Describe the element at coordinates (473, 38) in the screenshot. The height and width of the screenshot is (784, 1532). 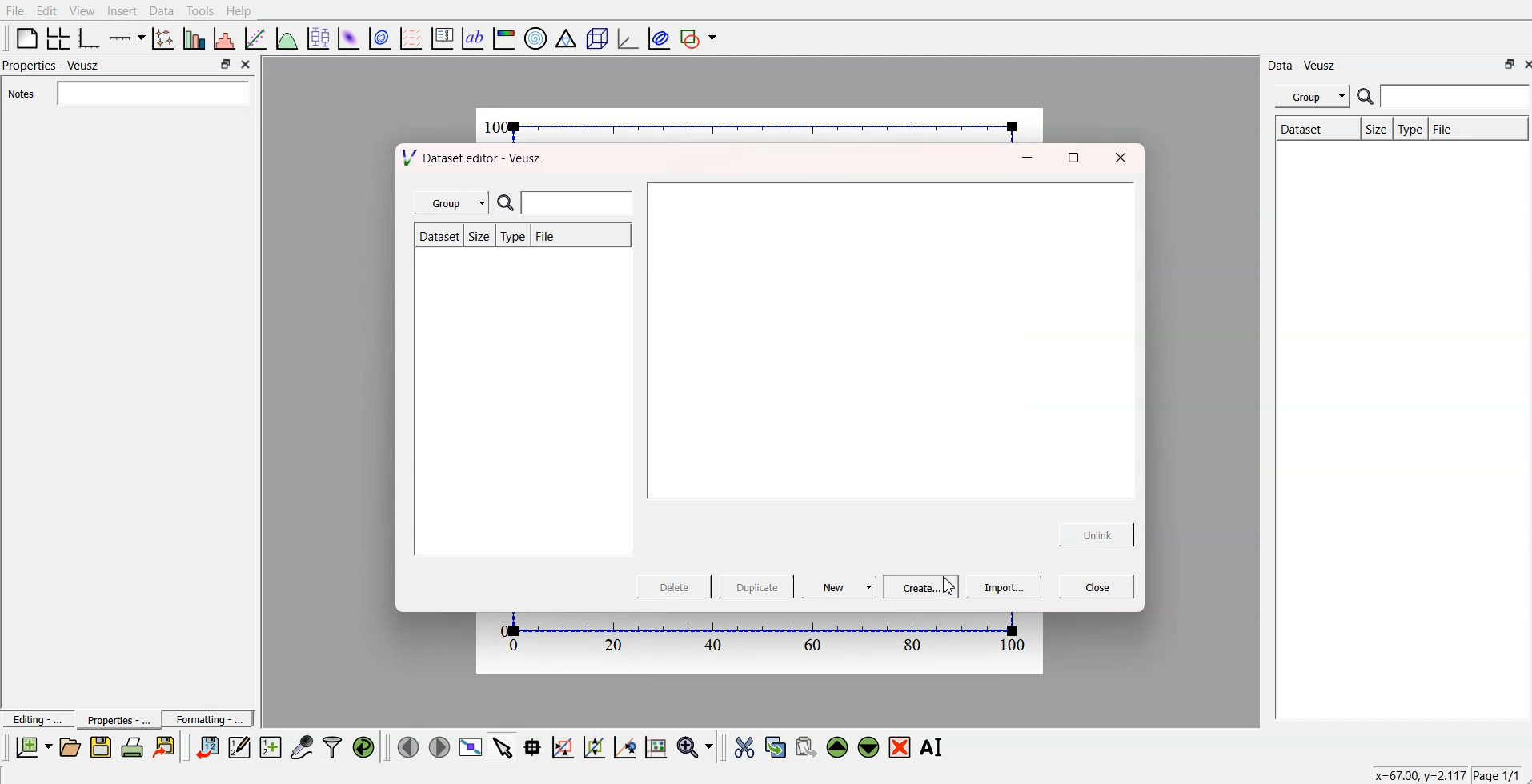
I see `text label` at that location.